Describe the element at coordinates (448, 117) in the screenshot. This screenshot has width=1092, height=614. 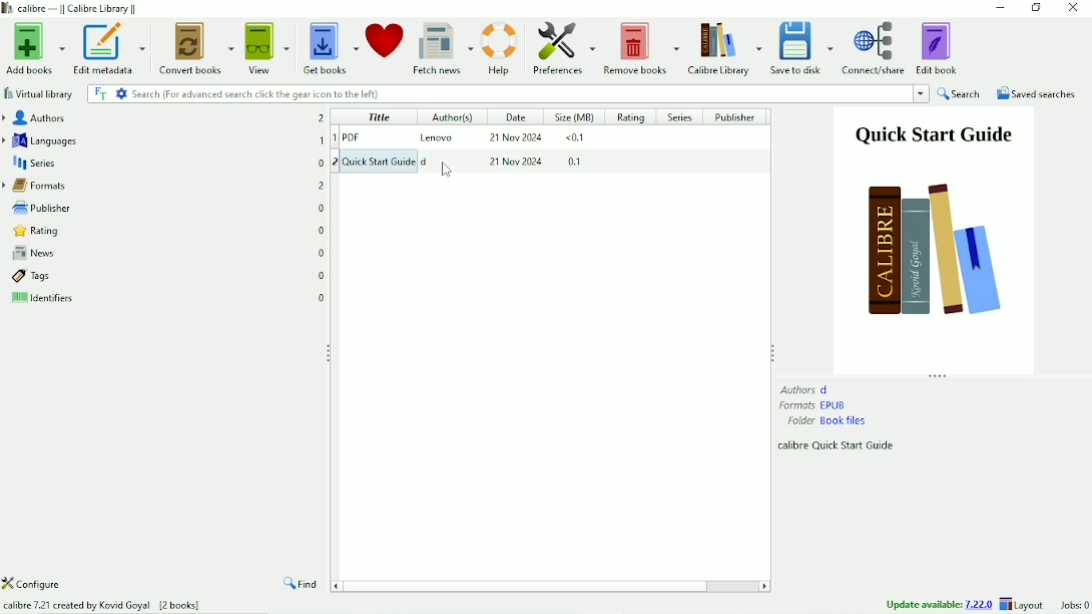
I see `Author(s)` at that location.